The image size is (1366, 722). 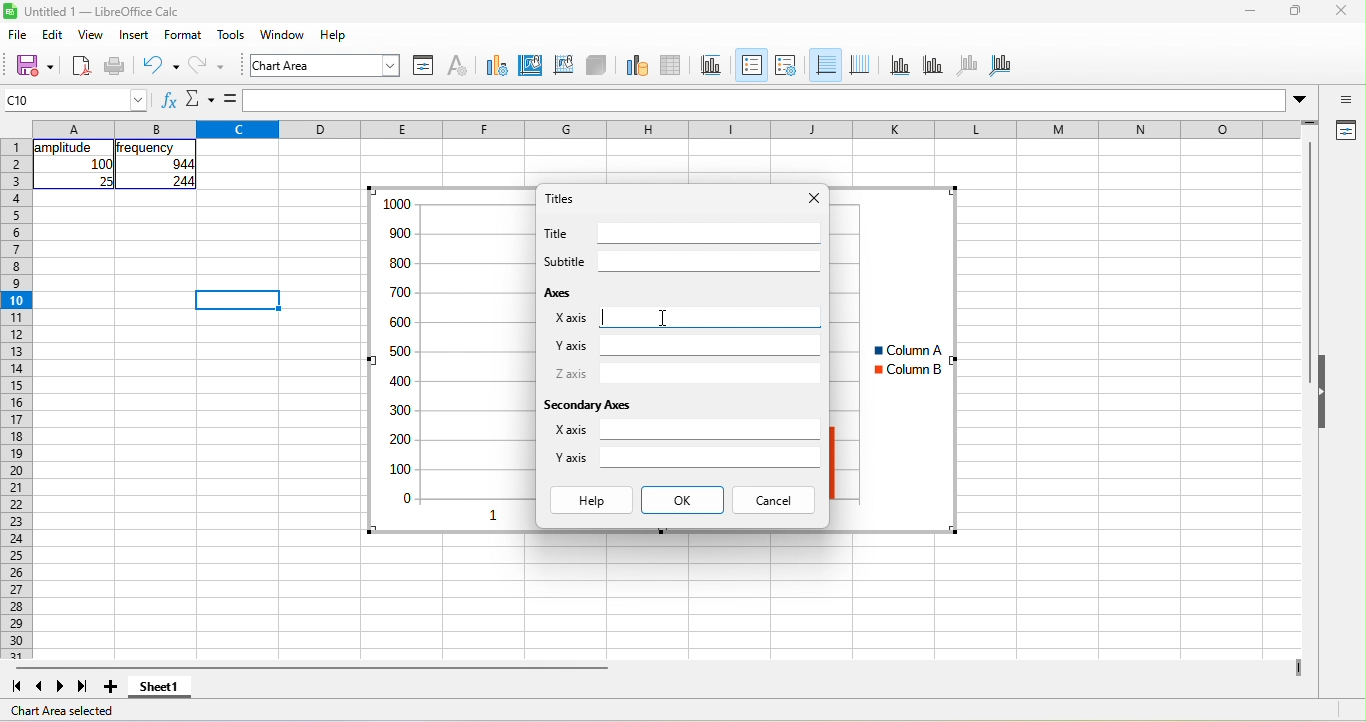 I want to click on horizontal grids, so click(x=825, y=65).